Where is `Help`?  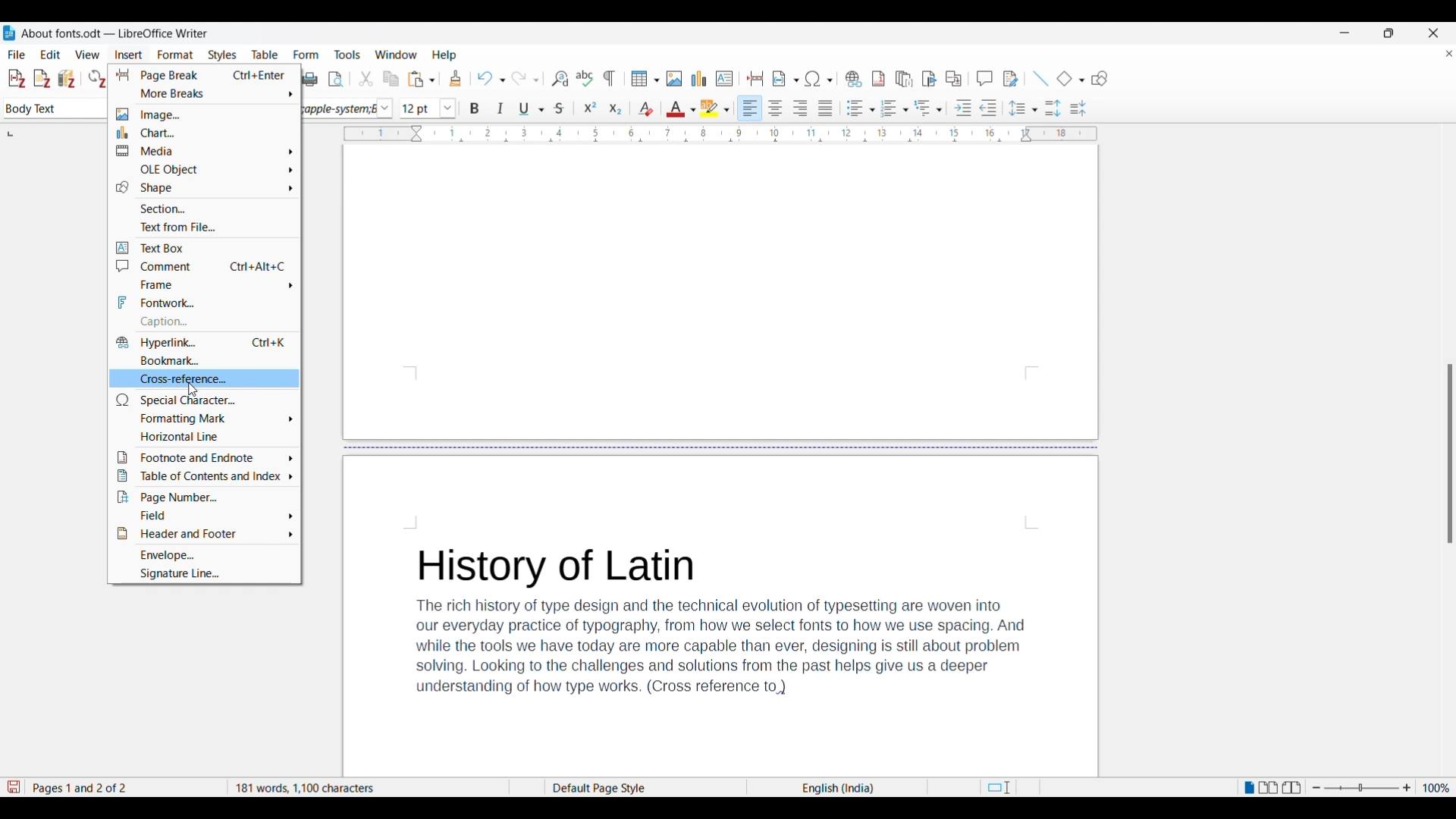 Help is located at coordinates (452, 55).